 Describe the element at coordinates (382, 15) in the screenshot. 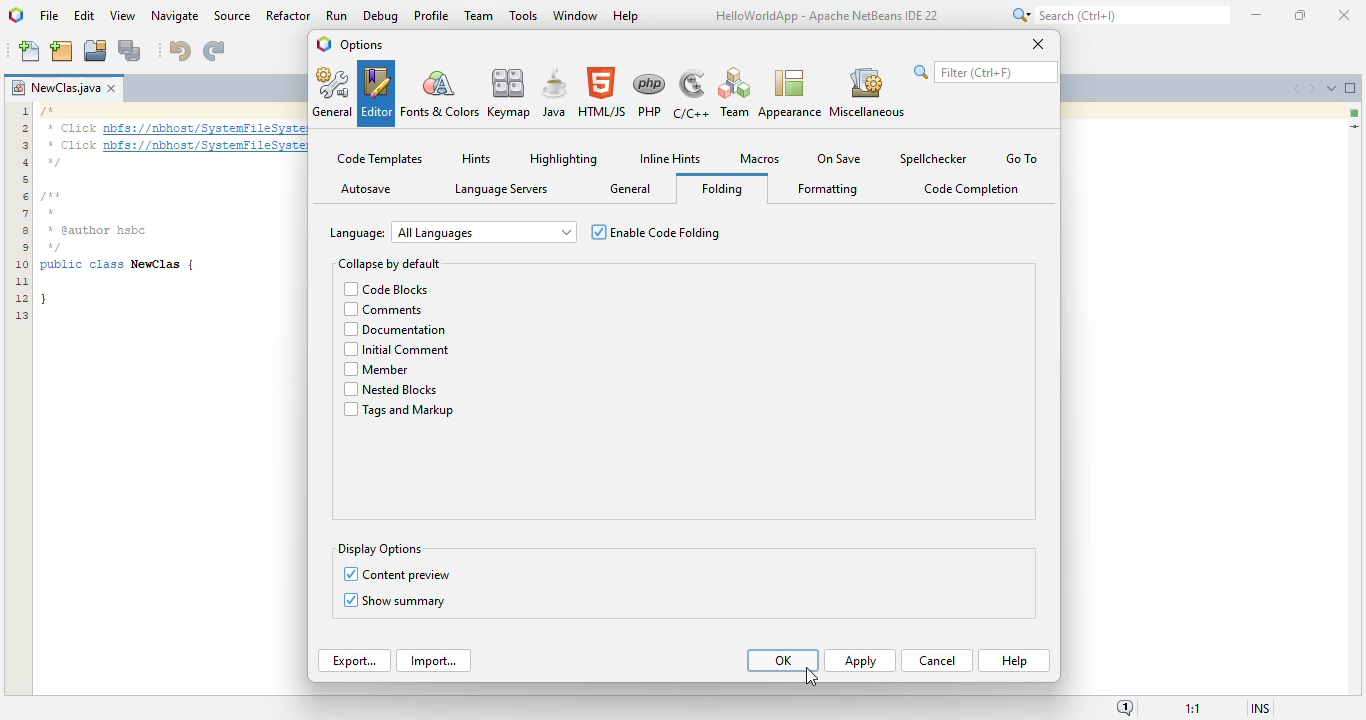

I see `debug` at that location.